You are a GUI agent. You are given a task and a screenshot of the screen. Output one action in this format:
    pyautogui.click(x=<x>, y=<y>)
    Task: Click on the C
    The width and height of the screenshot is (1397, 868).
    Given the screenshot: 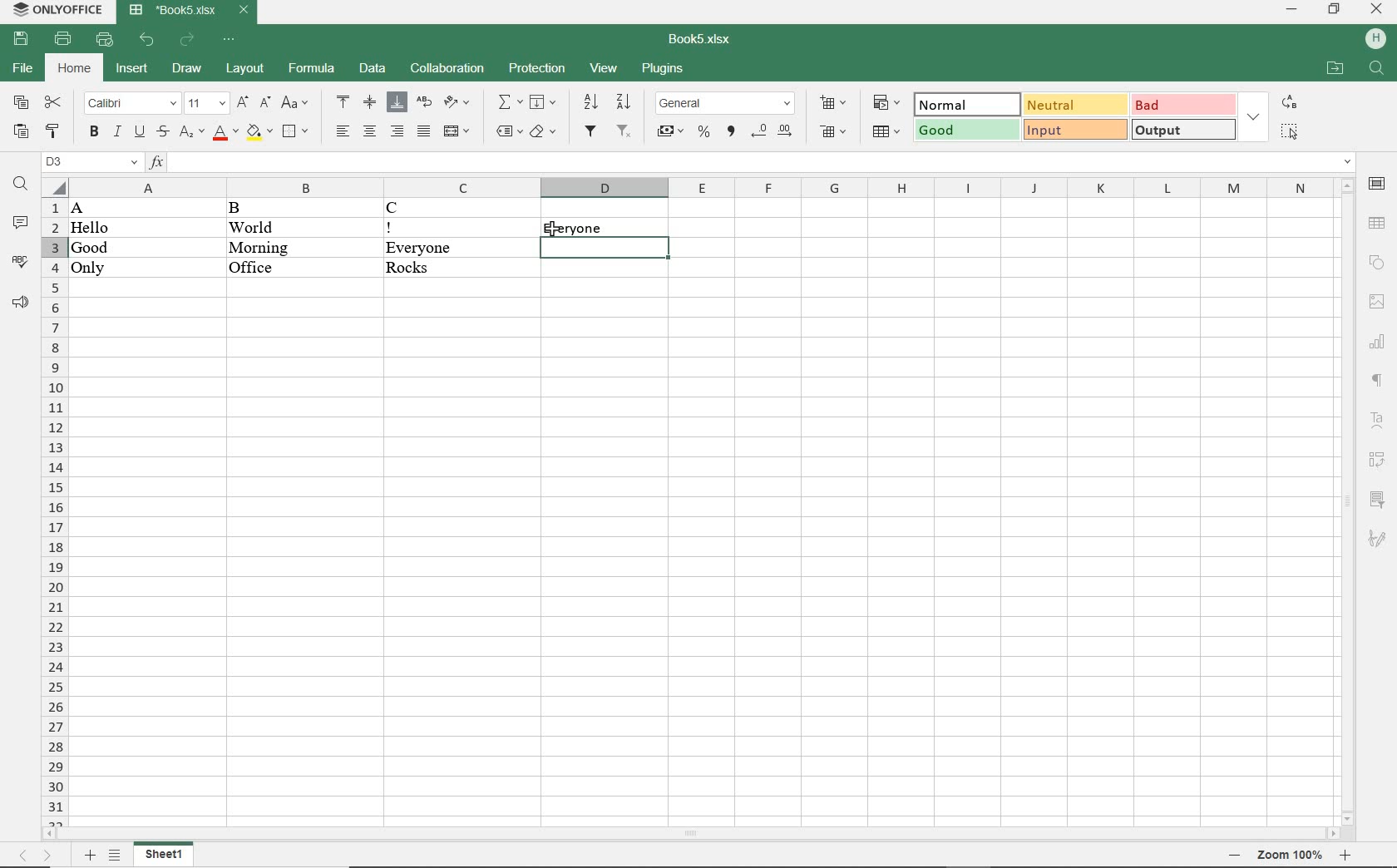 What is the action you would take?
    pyautogui.click(x=448, y=209)
    